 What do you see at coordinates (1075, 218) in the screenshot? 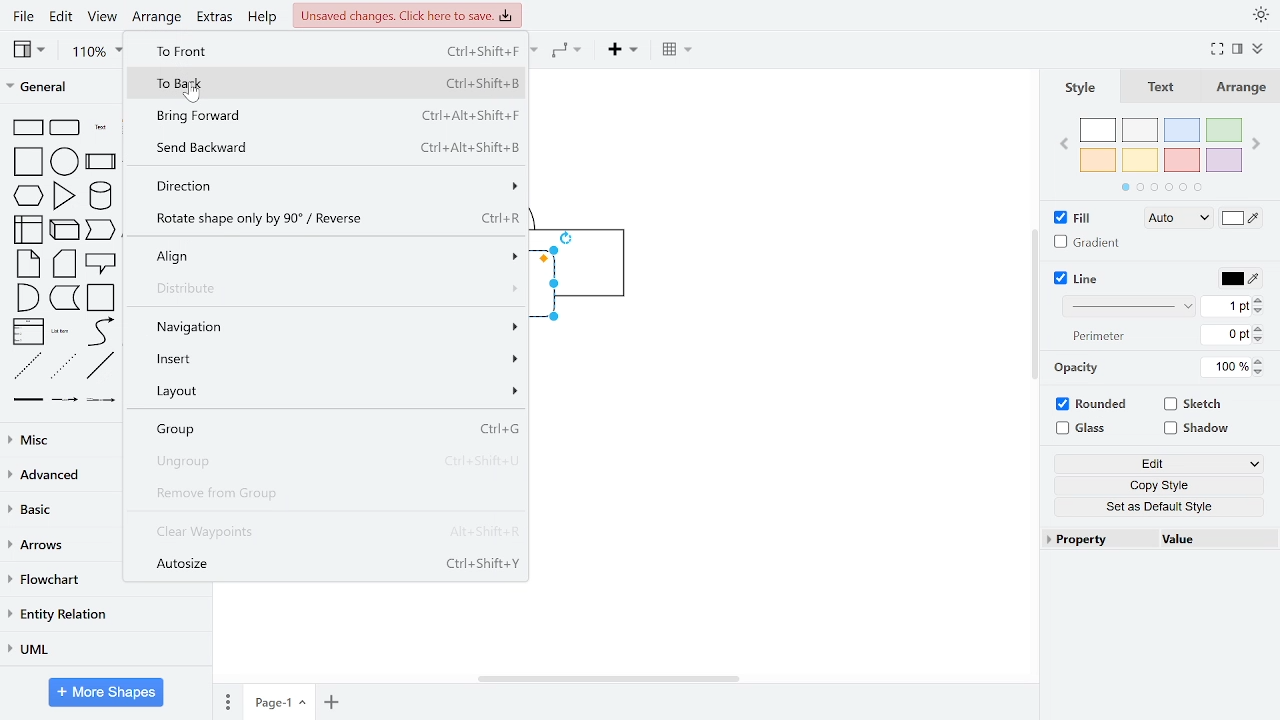
I see `fill` at bounding box center [1075, 218].